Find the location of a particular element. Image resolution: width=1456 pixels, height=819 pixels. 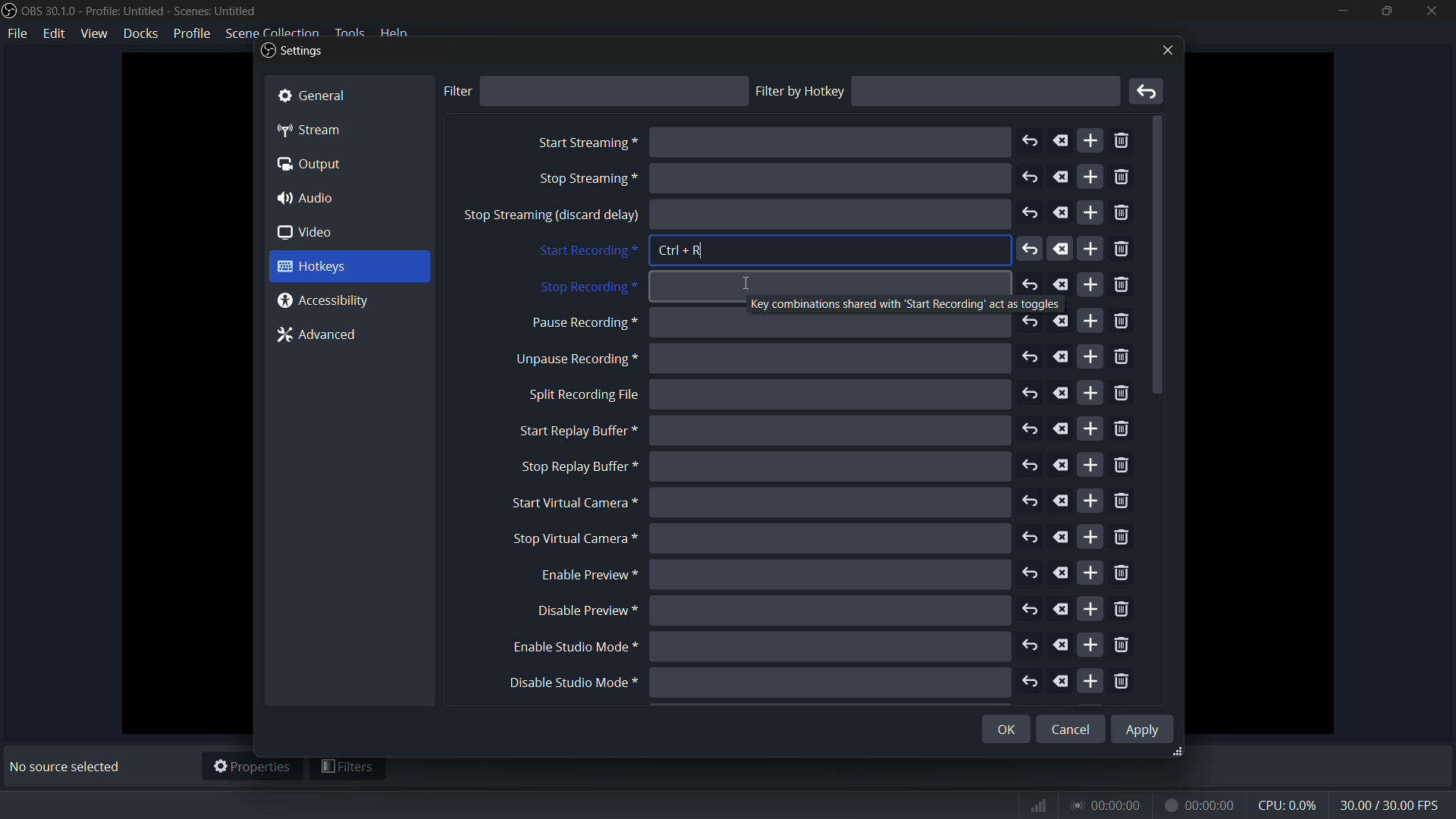

stop replay buffer is located at coordinates (577, 467).